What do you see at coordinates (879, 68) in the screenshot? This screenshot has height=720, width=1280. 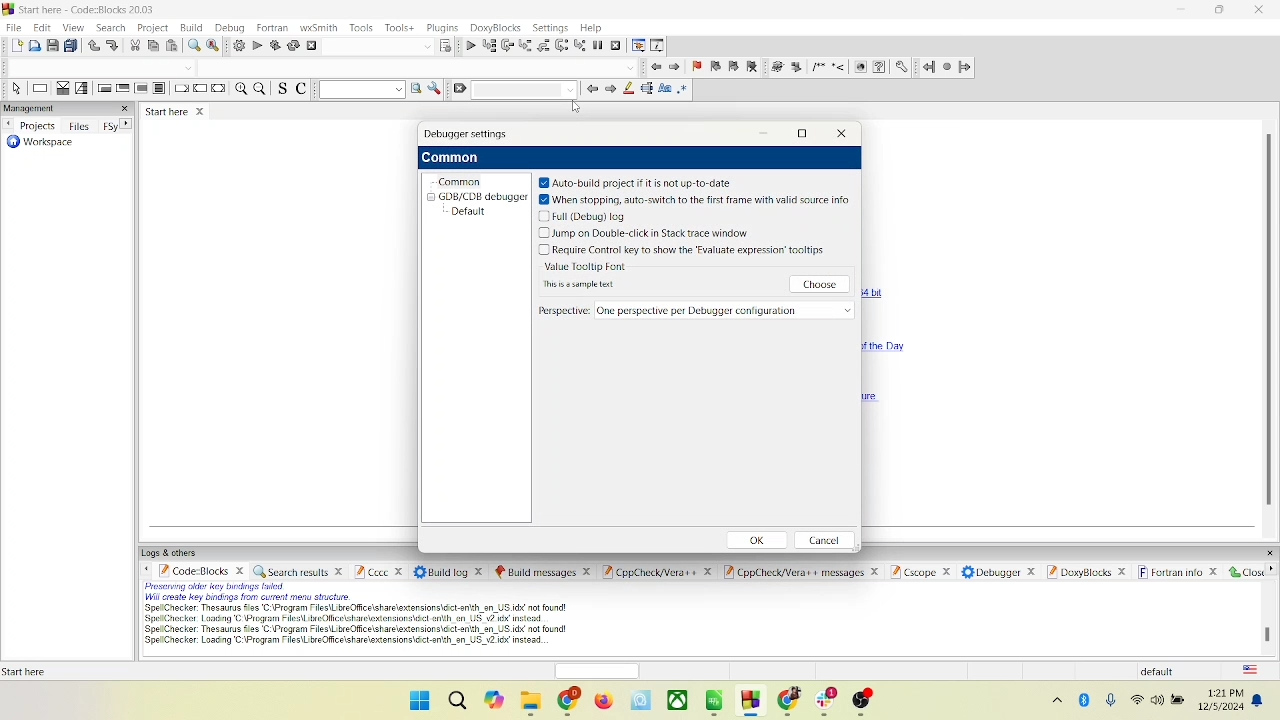 I see `help` at bounding box center [879, 68].